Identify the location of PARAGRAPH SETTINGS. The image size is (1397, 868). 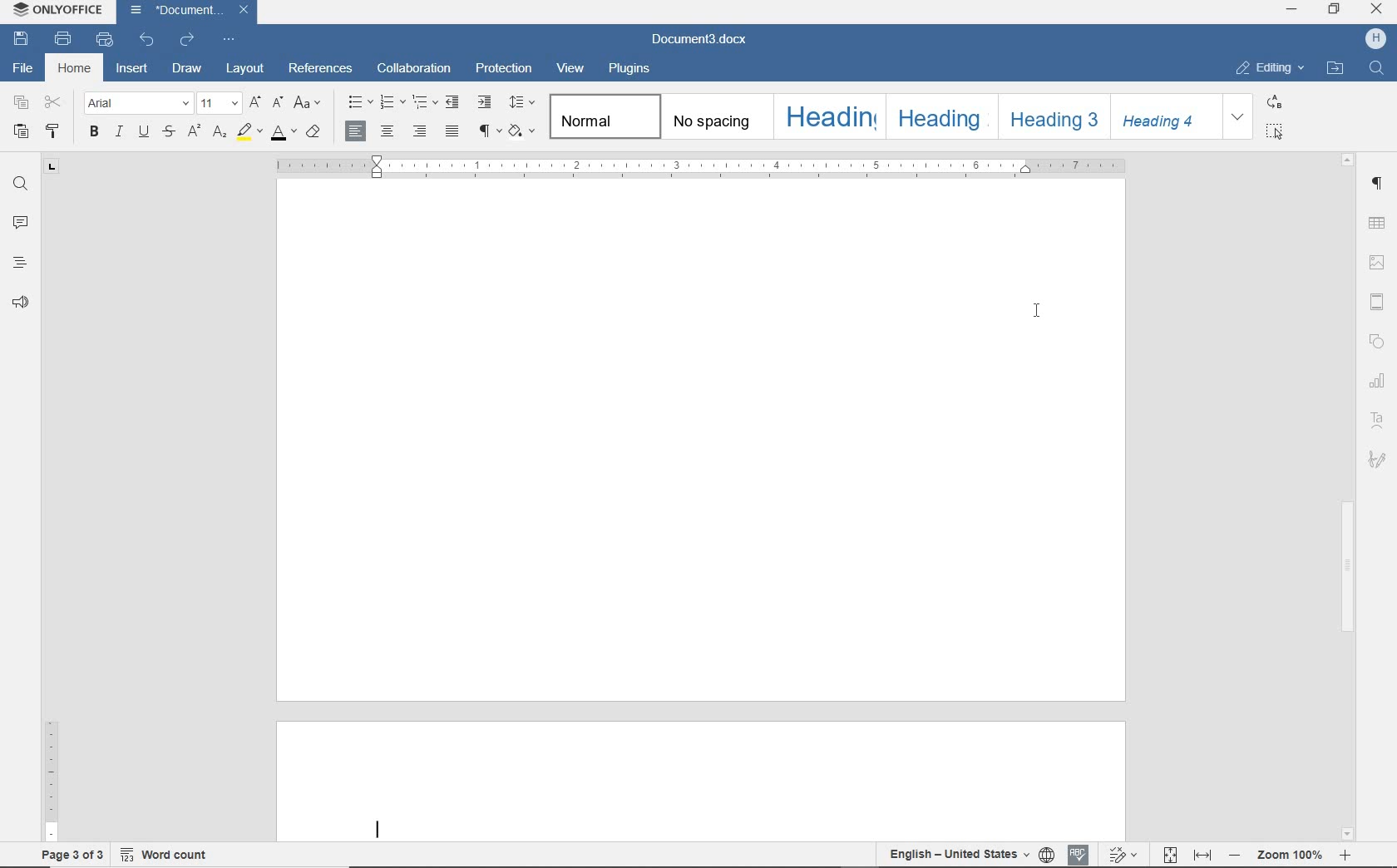
(1378, 184).